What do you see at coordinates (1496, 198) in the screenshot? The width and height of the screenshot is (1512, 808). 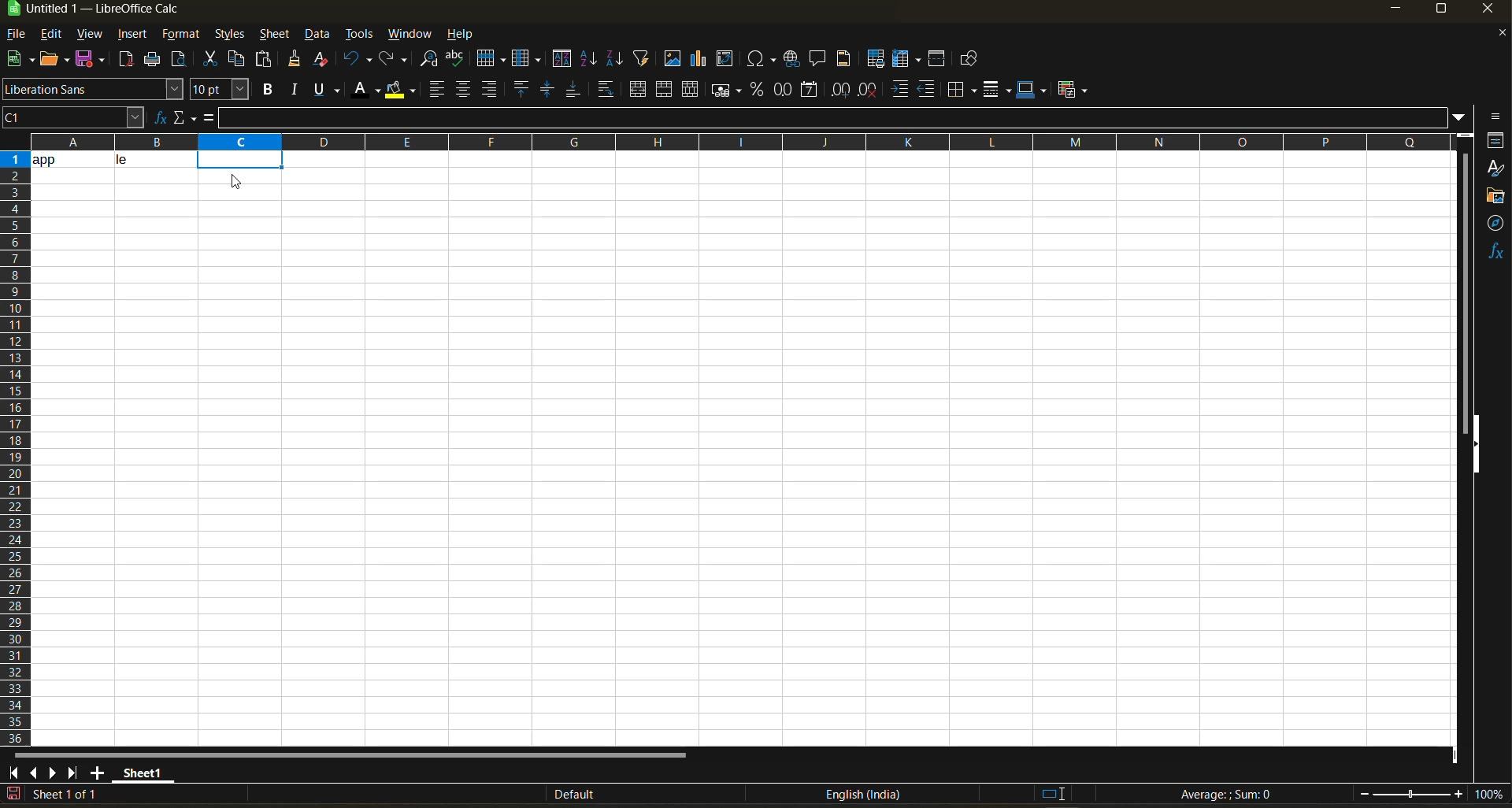 I see `gallery` at bounding box center [1496, 198].